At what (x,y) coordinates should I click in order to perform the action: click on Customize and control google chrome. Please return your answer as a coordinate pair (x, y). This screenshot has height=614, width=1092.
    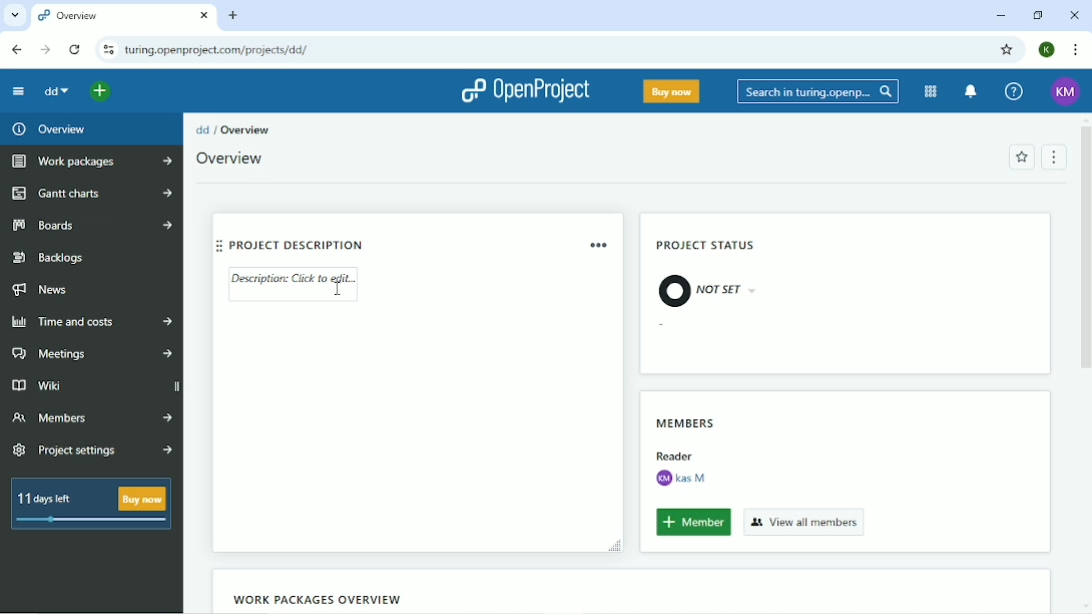
    Looking at the image, I should click on (1074, 49).